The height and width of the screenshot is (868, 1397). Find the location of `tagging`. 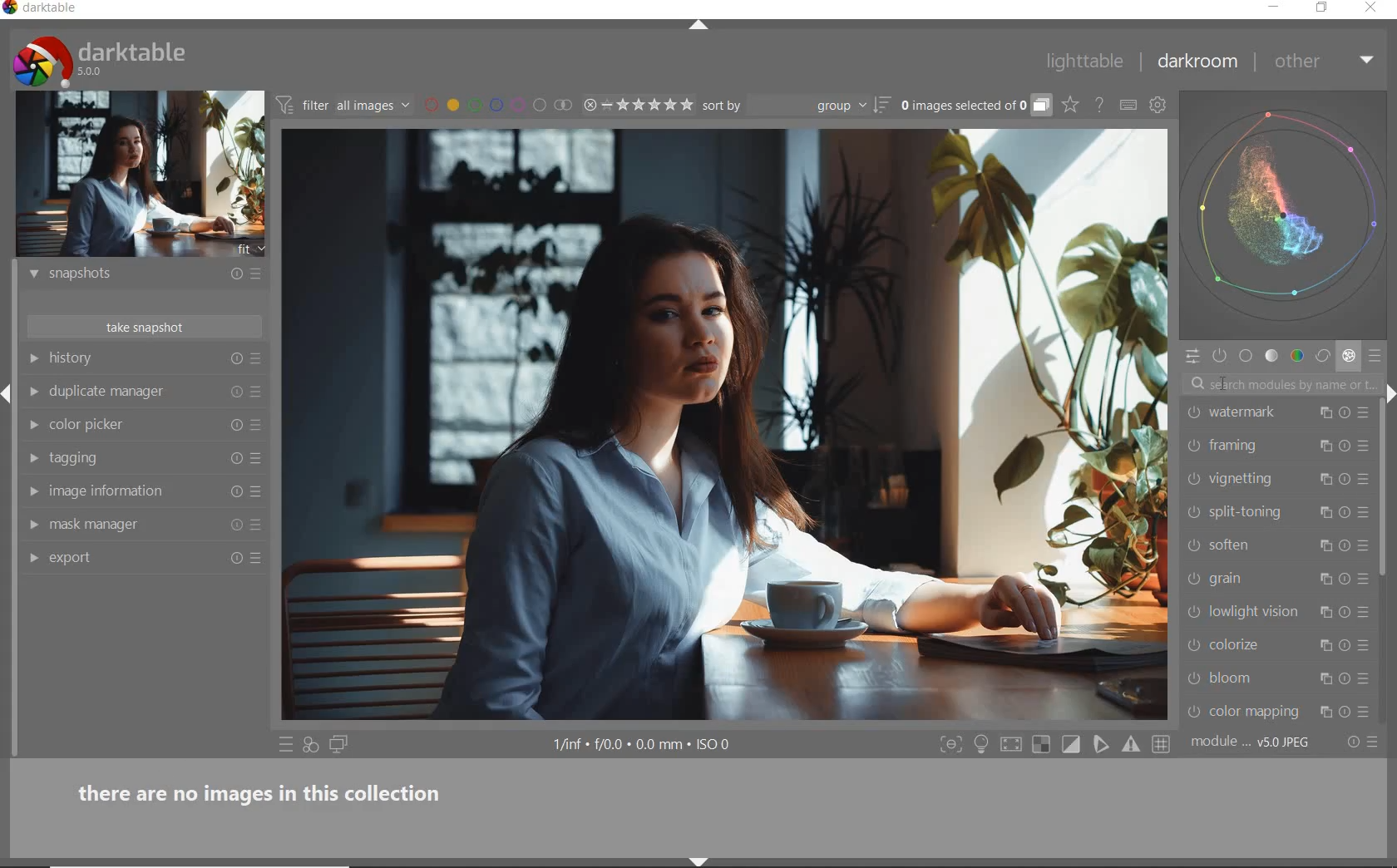

tagging is located at coordinates (121, 459).